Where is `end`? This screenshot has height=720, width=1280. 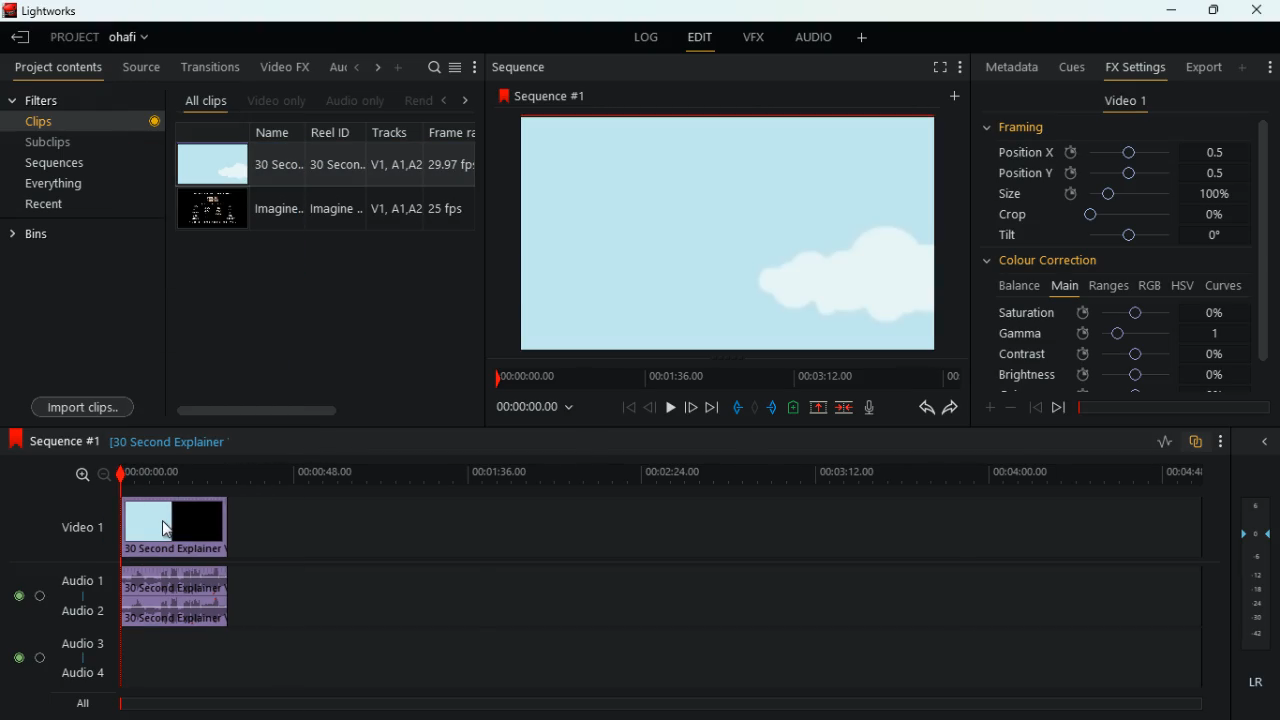 end is located at coordinates (1058, 407).